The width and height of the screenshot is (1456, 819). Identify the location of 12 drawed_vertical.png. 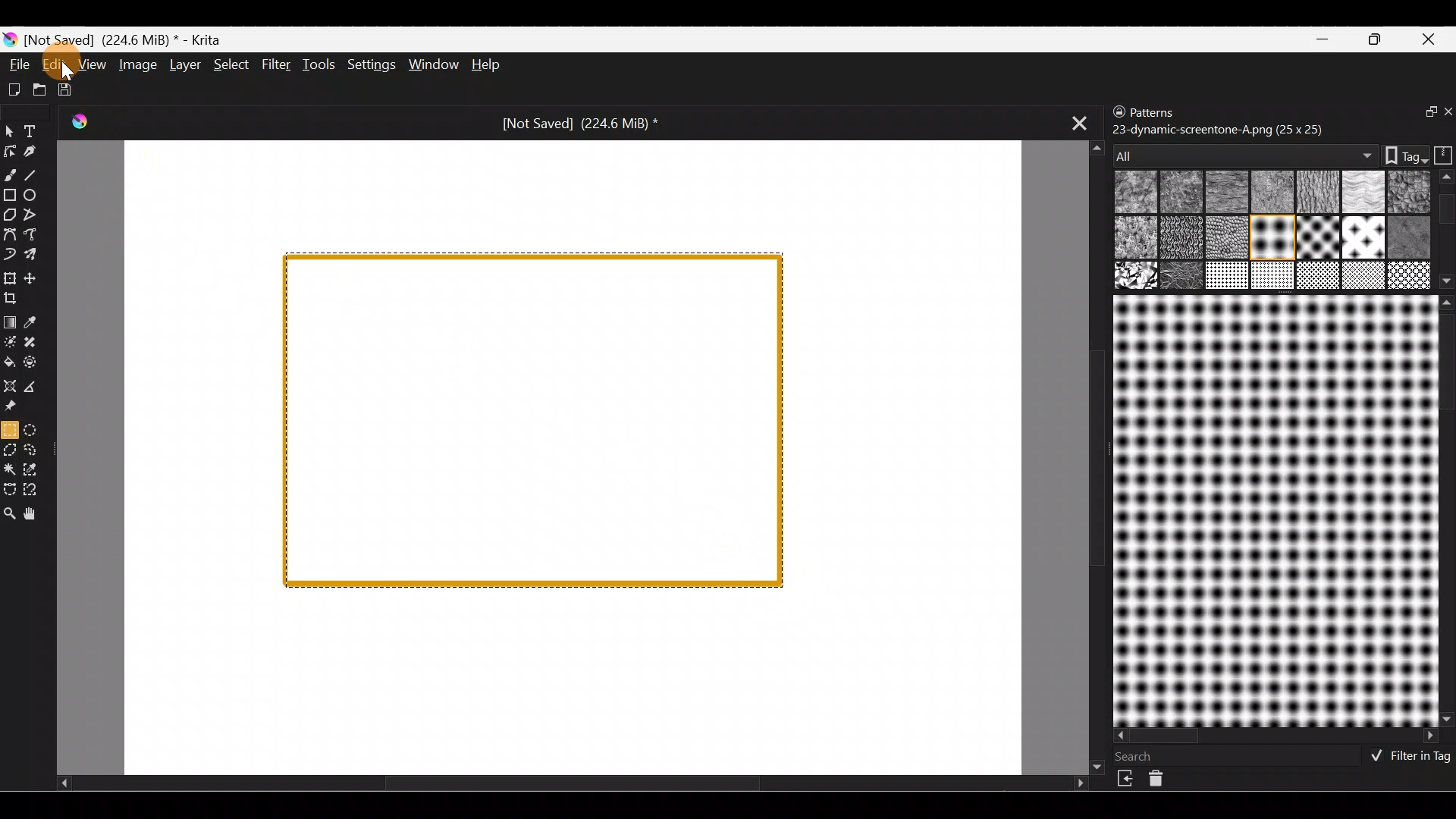
(1362, 237).